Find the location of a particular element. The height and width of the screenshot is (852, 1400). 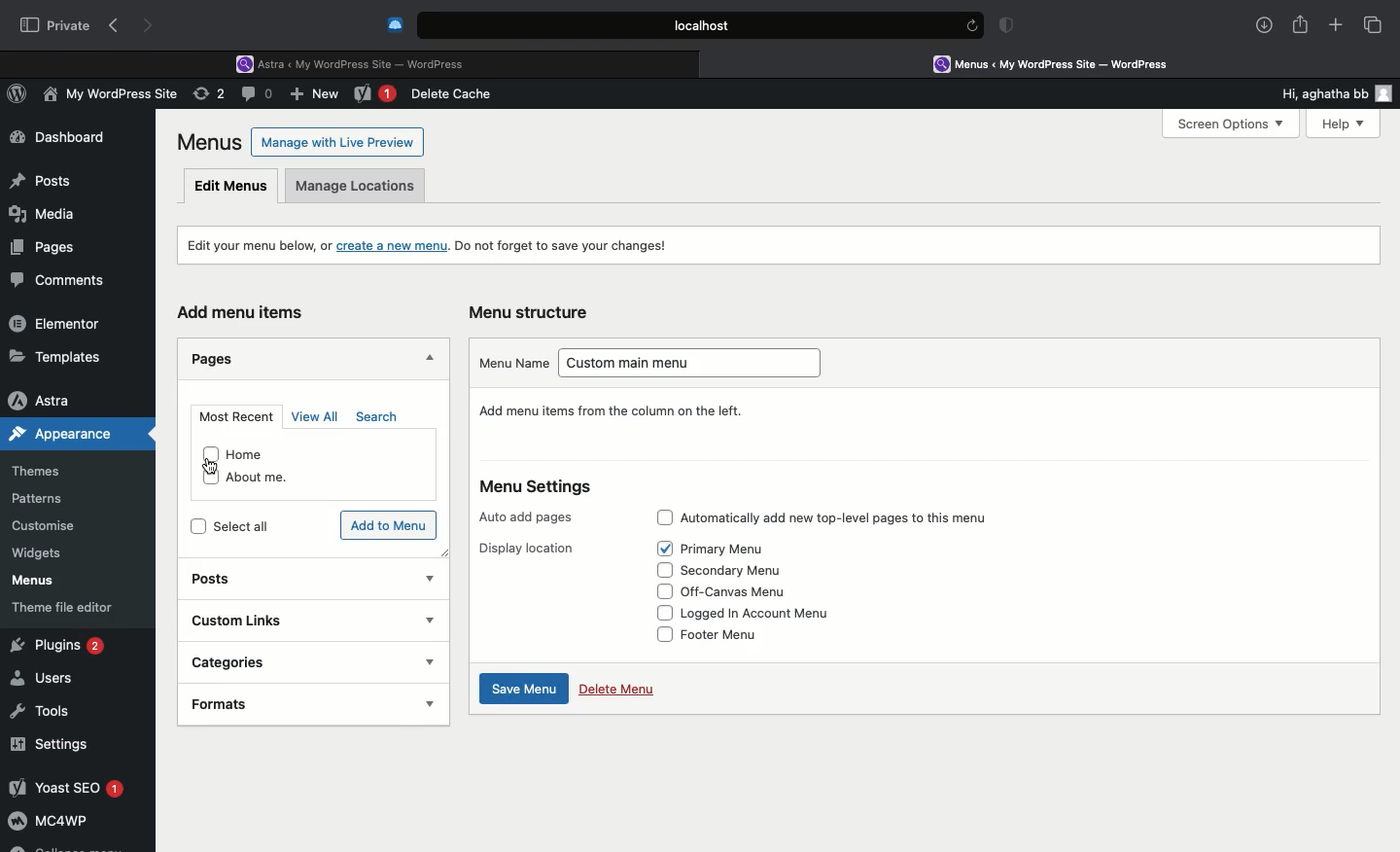

Off-canvas menu is located at coordinates (751, 591).